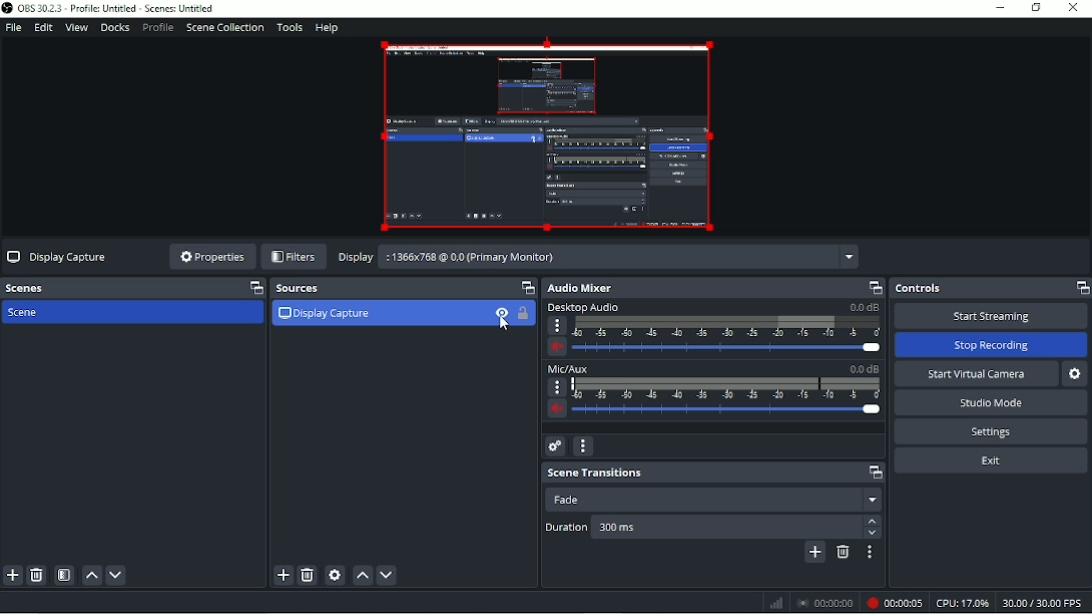  I want to click on Desktop audio, so click(713, 330).